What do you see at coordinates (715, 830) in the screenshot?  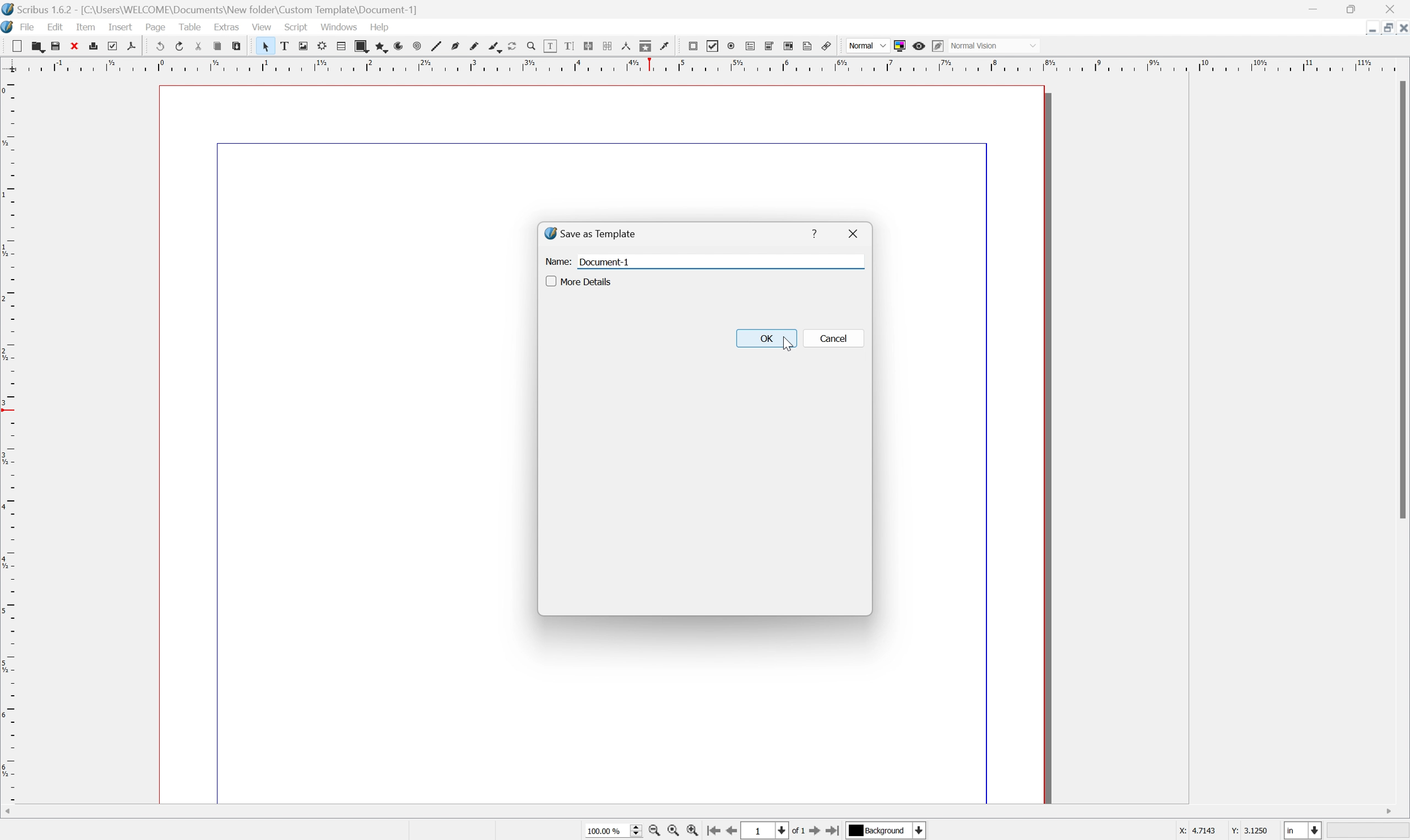 I see `Go to first page` at bounding box center [715, 830].